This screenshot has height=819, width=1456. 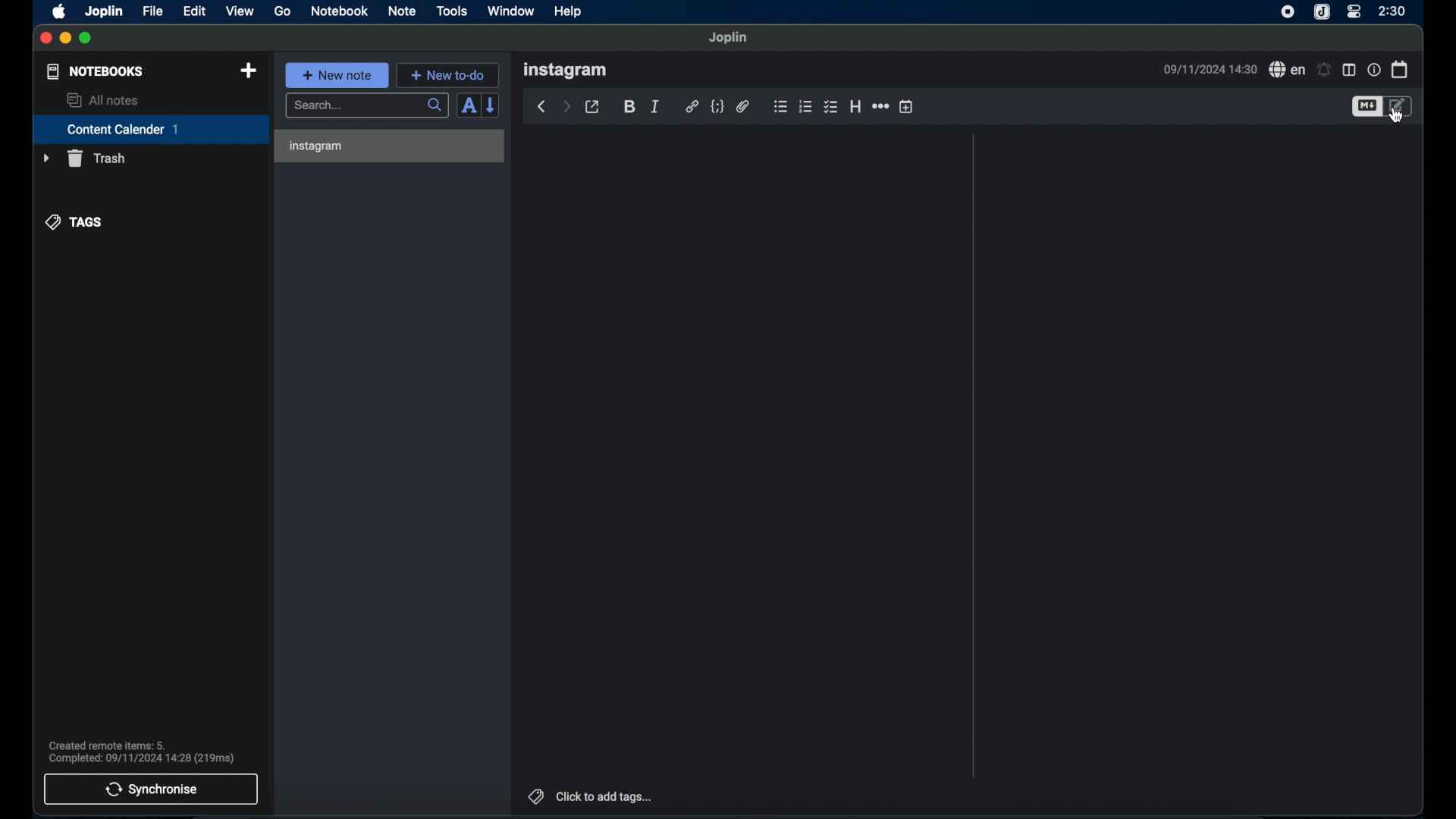 I want to click on window, so click(x=511, y=11).